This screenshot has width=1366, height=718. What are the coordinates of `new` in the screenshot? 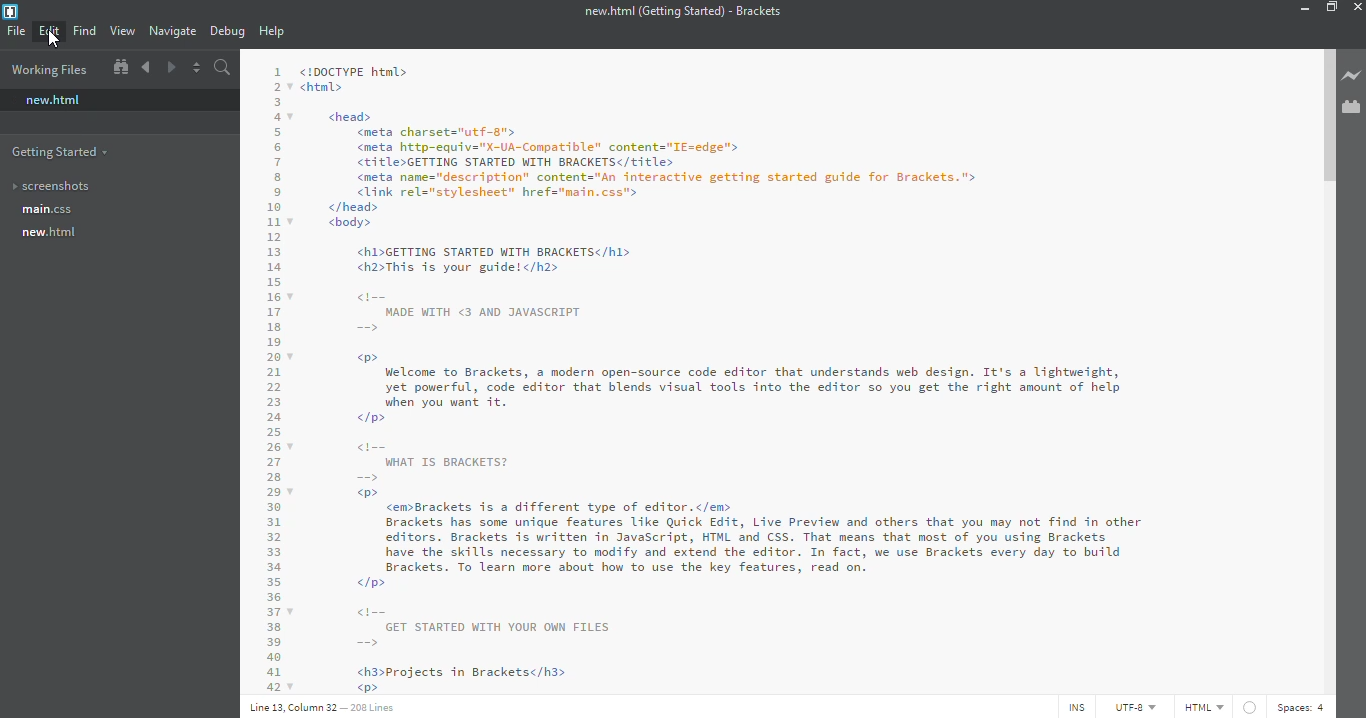 It's located at (53, 100).